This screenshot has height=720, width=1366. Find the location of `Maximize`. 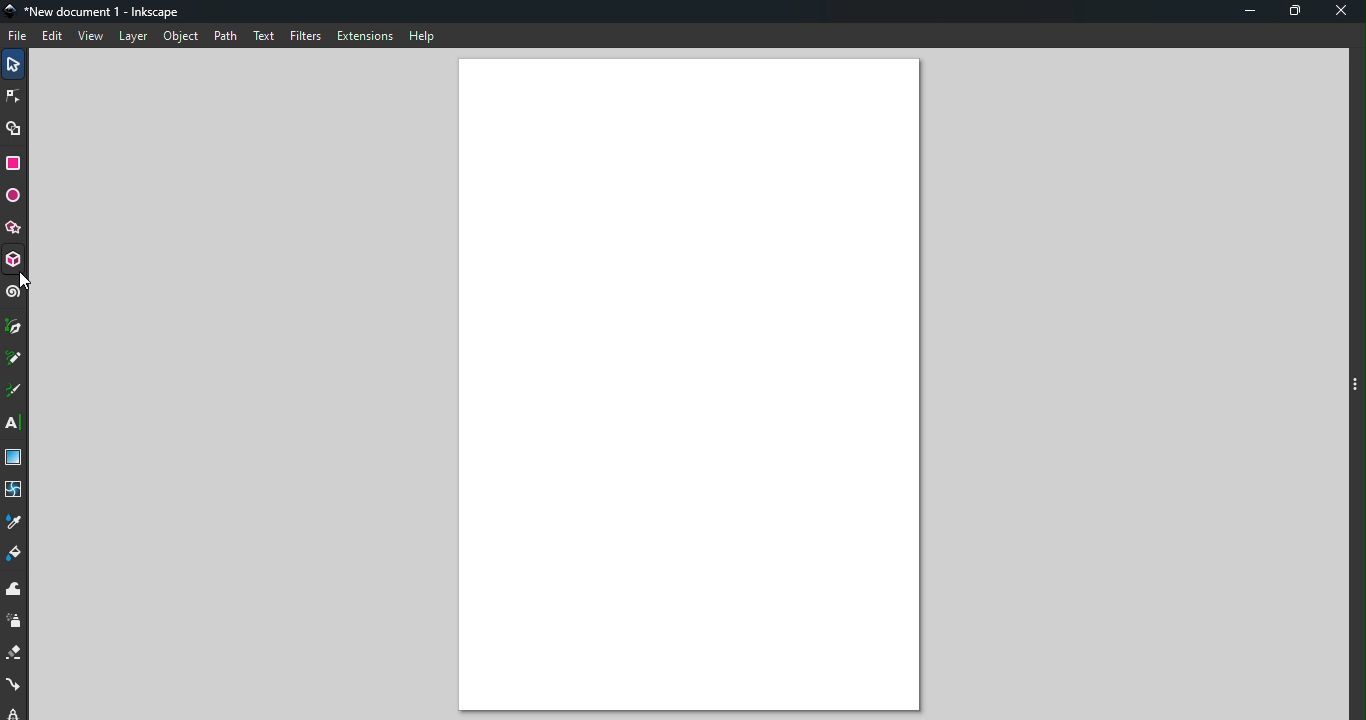

Maximize is located at coordinates (1295, 14).